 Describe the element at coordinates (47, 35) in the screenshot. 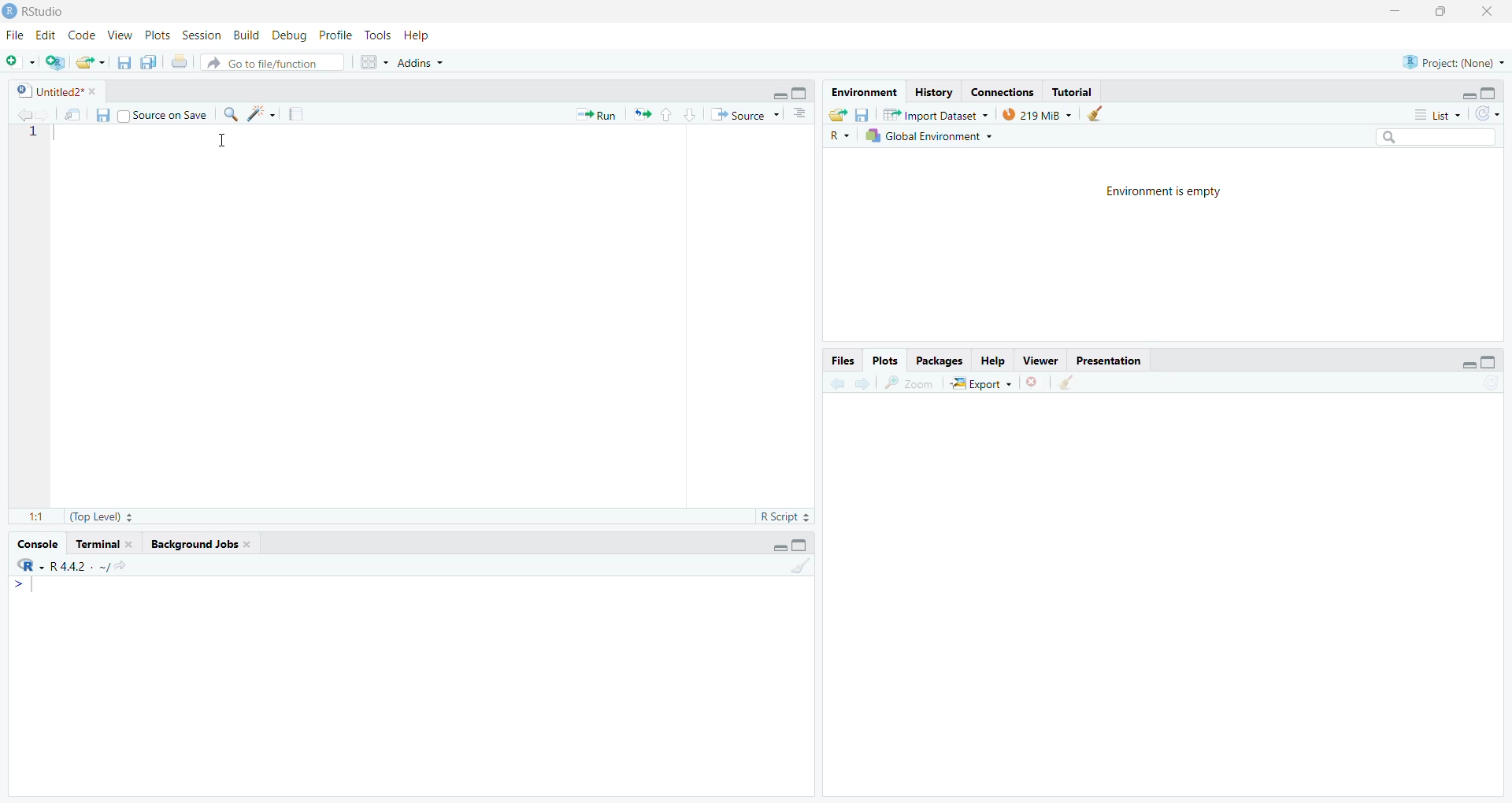

I see `Edit` at that location.